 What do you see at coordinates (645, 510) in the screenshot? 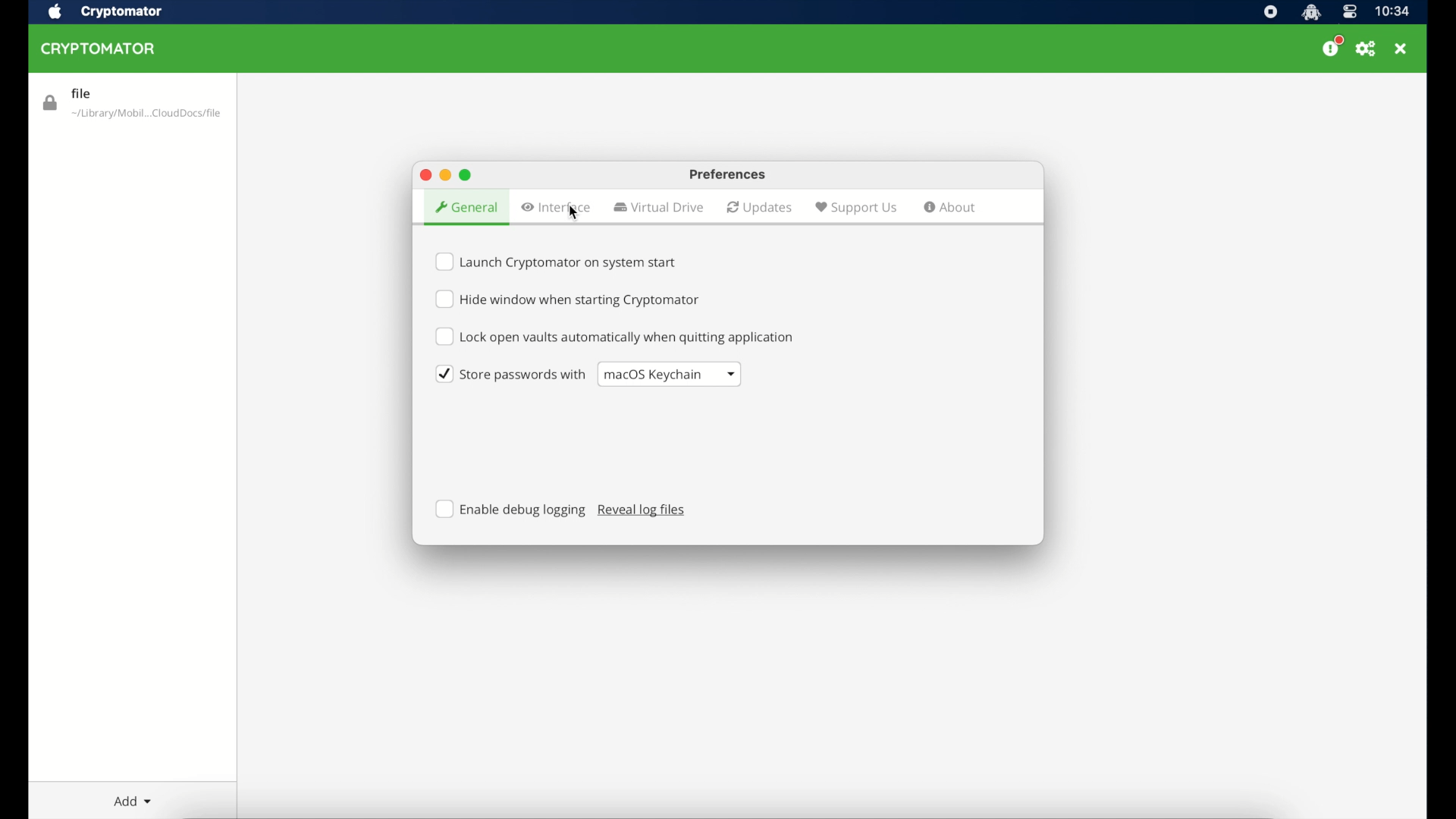
I see `reveal log files` at bounding box center [645, 510].